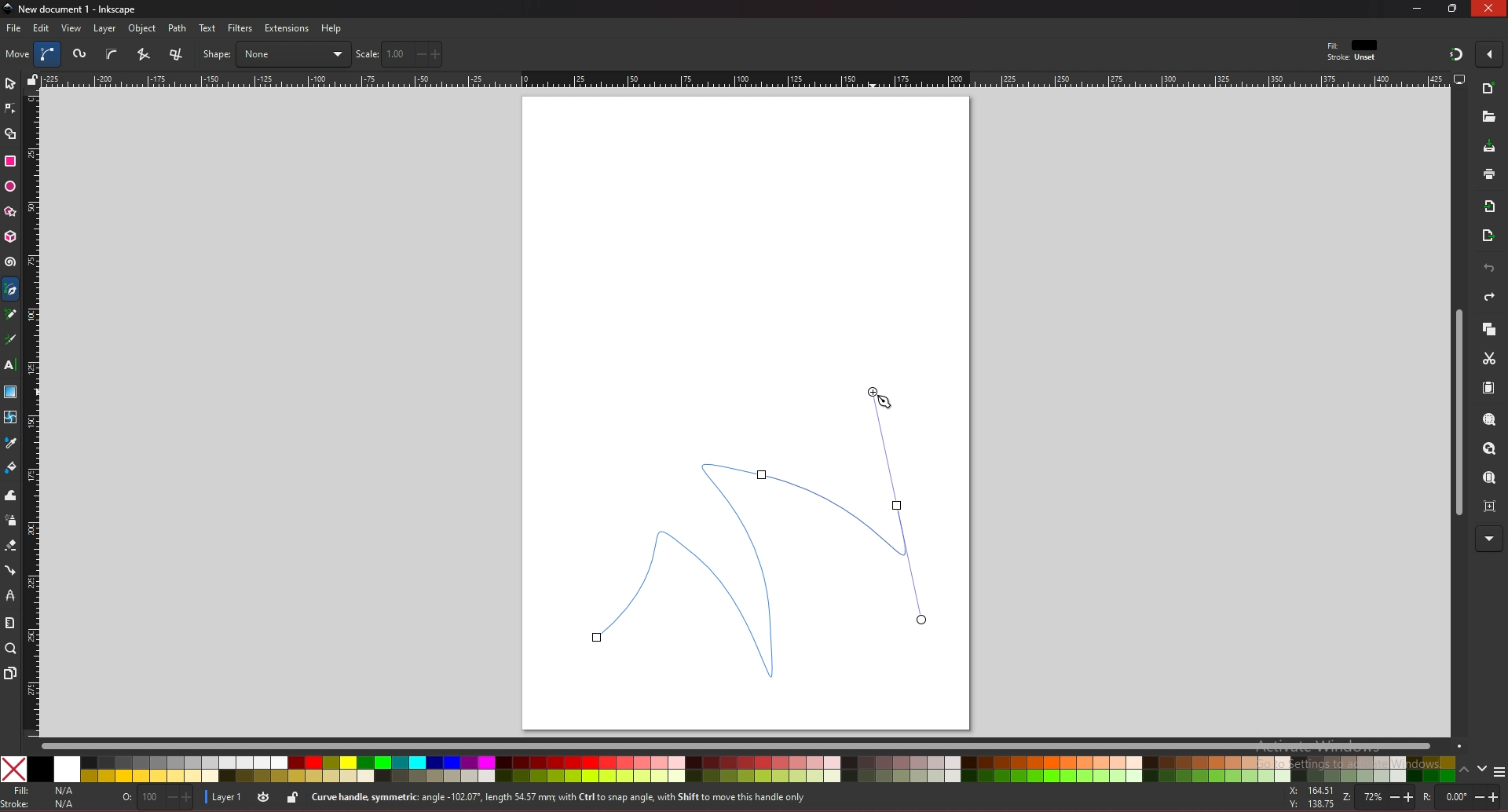 The width and height of the screenshot is (1508, 812). Describe the element at coordinates (1493, 207) in the screenshot. I see `import` at that location.